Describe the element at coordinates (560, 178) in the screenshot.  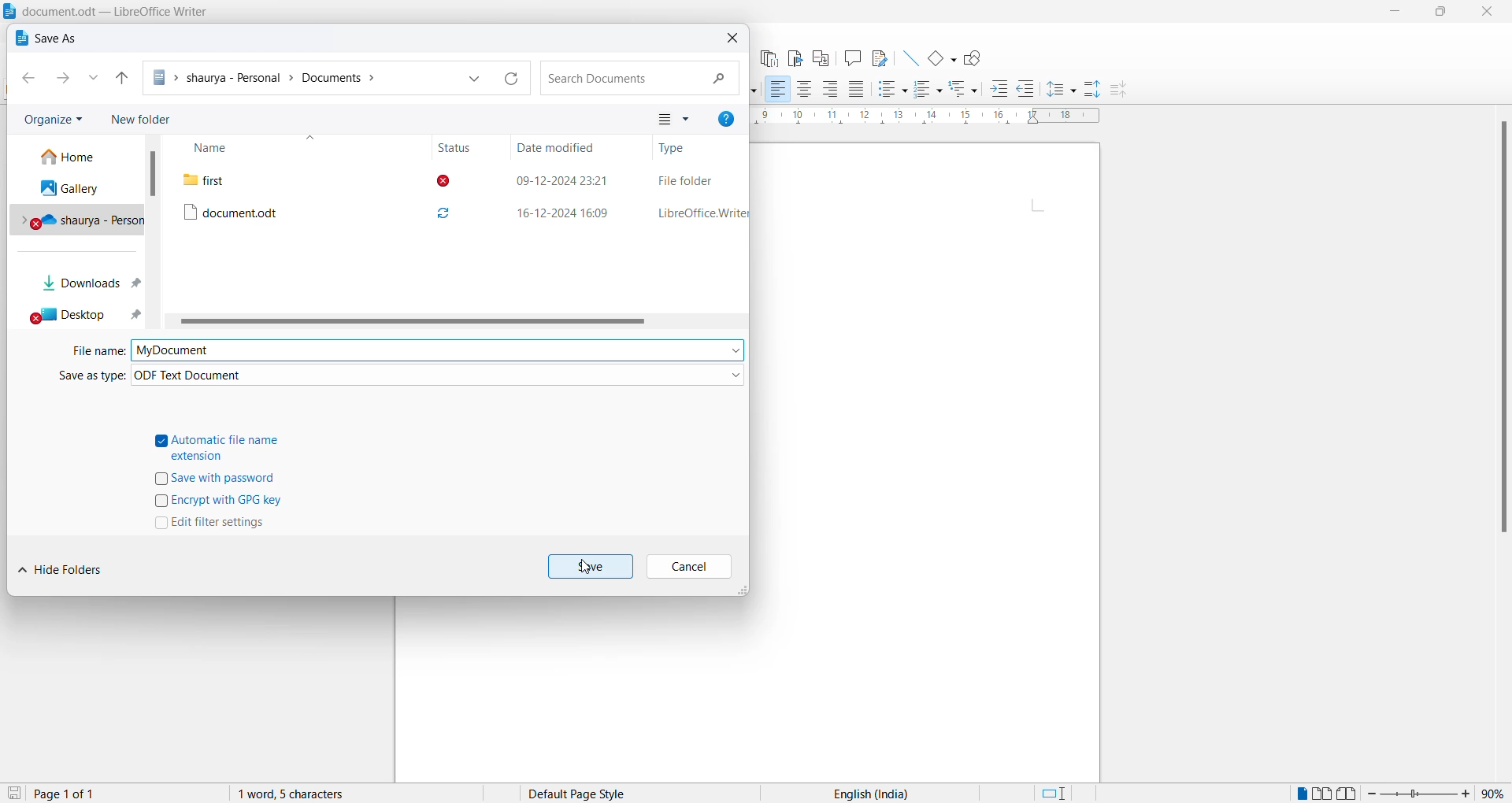
I see `09-12-2014 23:21` at that location.